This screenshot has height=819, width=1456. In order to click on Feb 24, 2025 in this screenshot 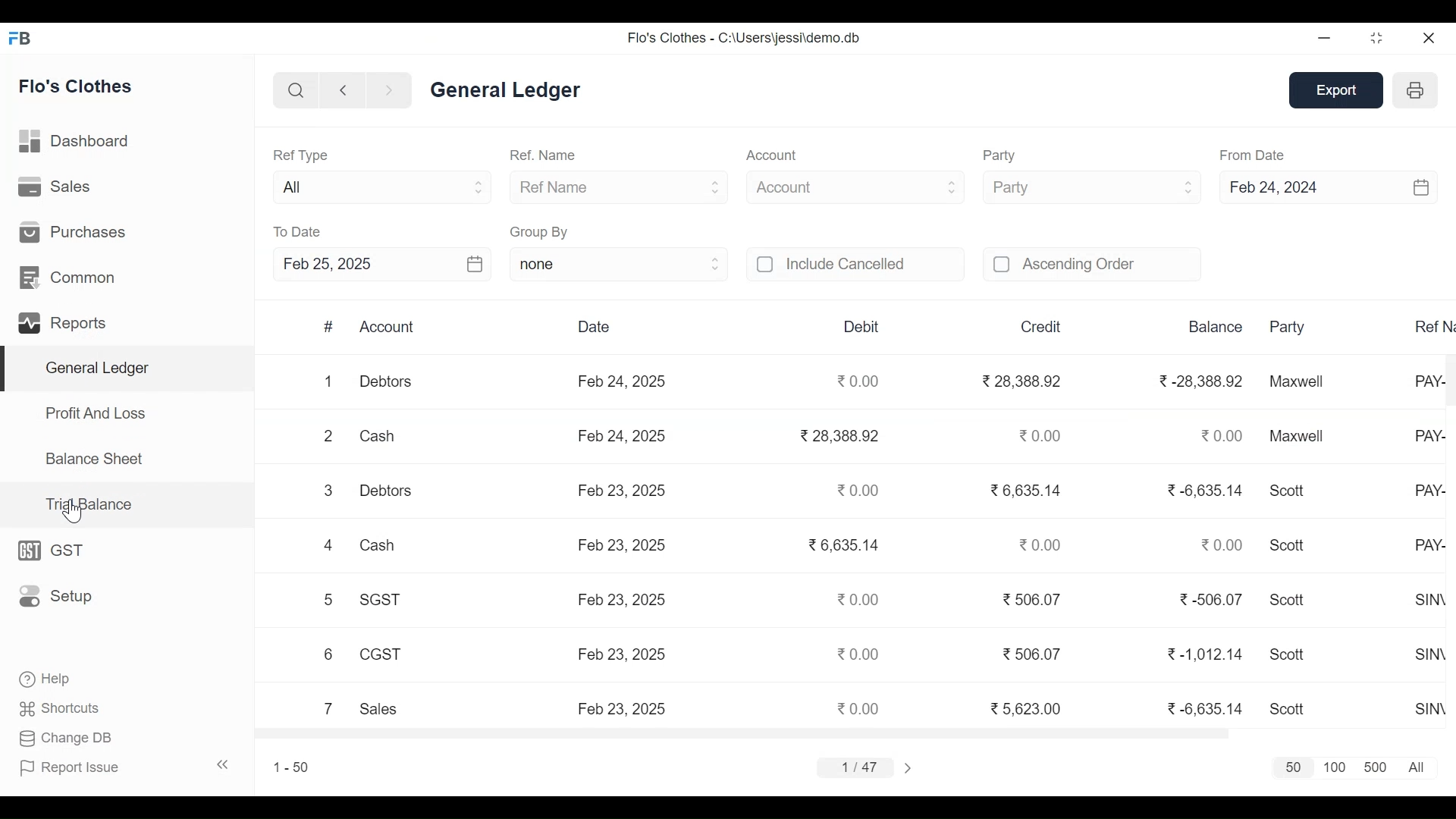, I will do `click(621, 381)`.